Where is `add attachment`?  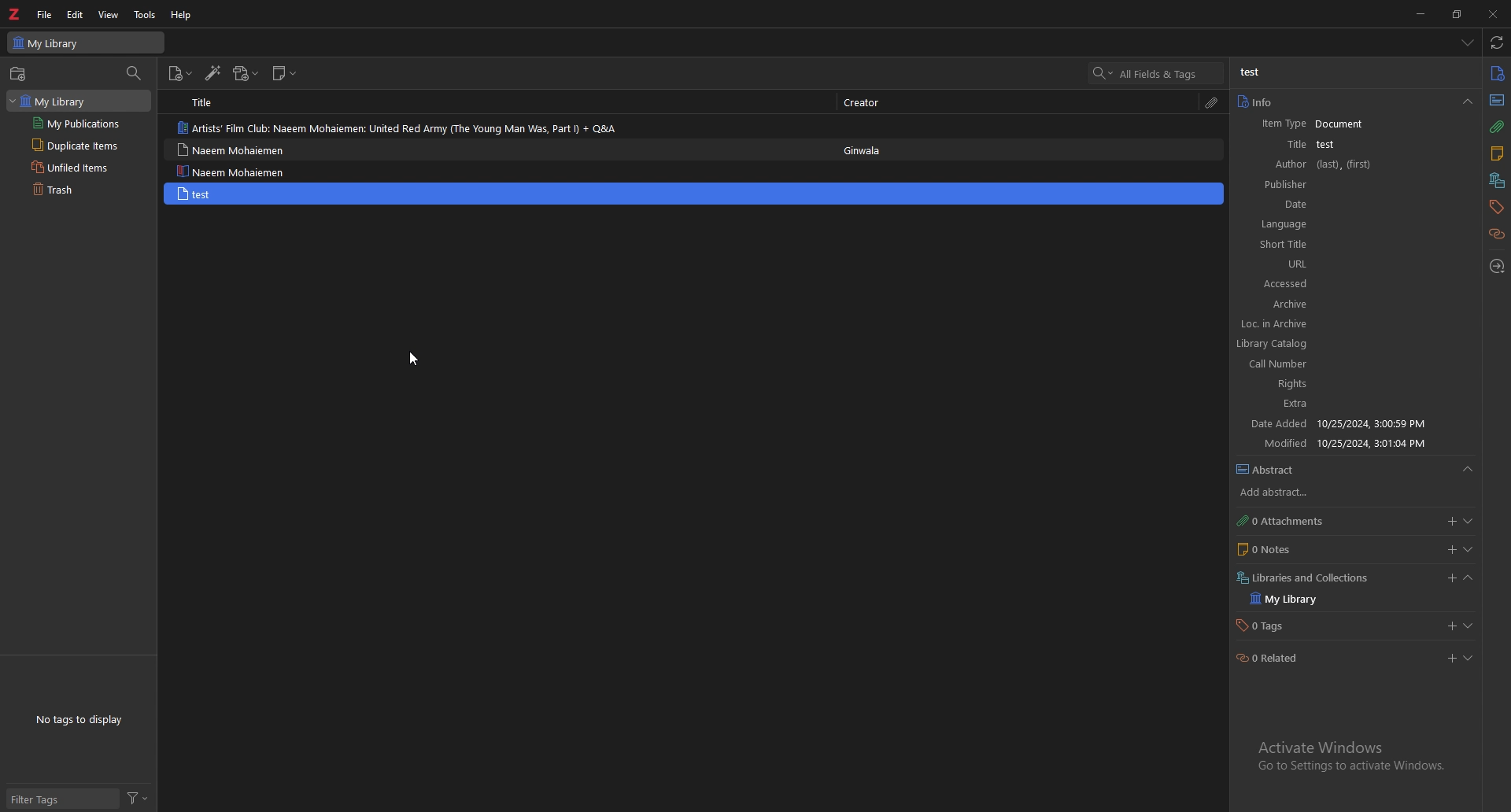 add attachment is located at coordinates (246, 73).